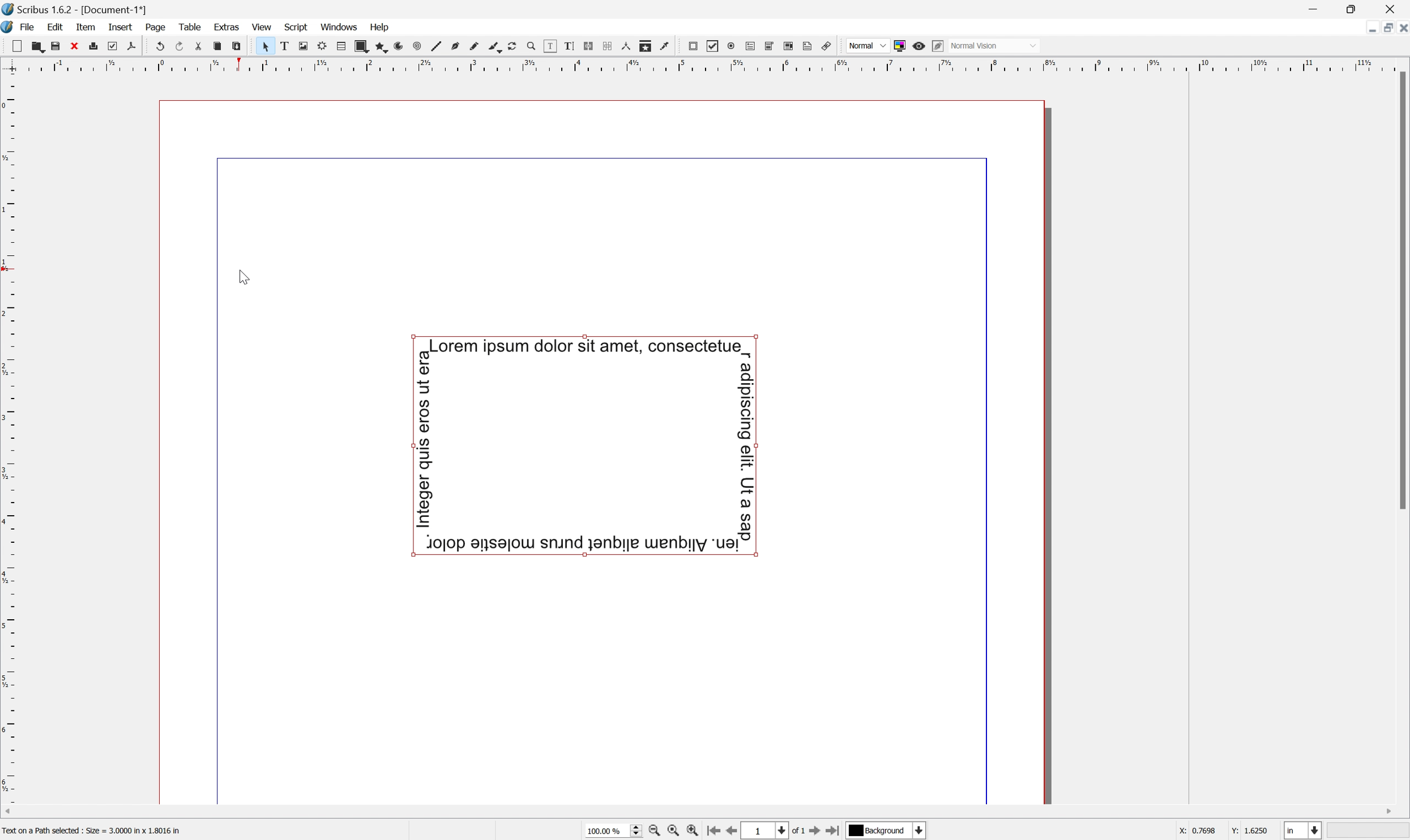 Image resolution: width=1410 pixels, height=840 pixels. I want to click on File, so click(25, 27).